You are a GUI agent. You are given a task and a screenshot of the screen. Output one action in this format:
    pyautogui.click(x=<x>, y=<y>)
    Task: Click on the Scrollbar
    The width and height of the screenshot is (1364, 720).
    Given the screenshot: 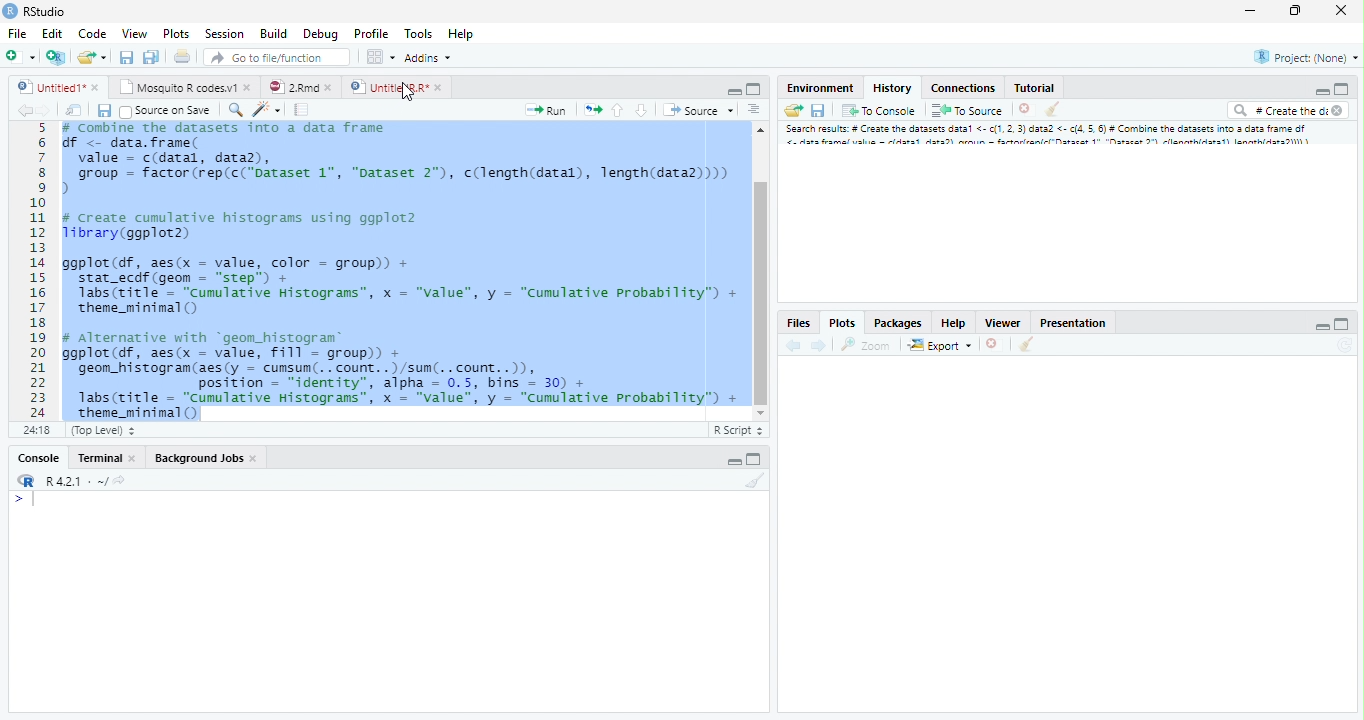 What is the action you would take?
    pyautogui.click(x=759, y=268)
    